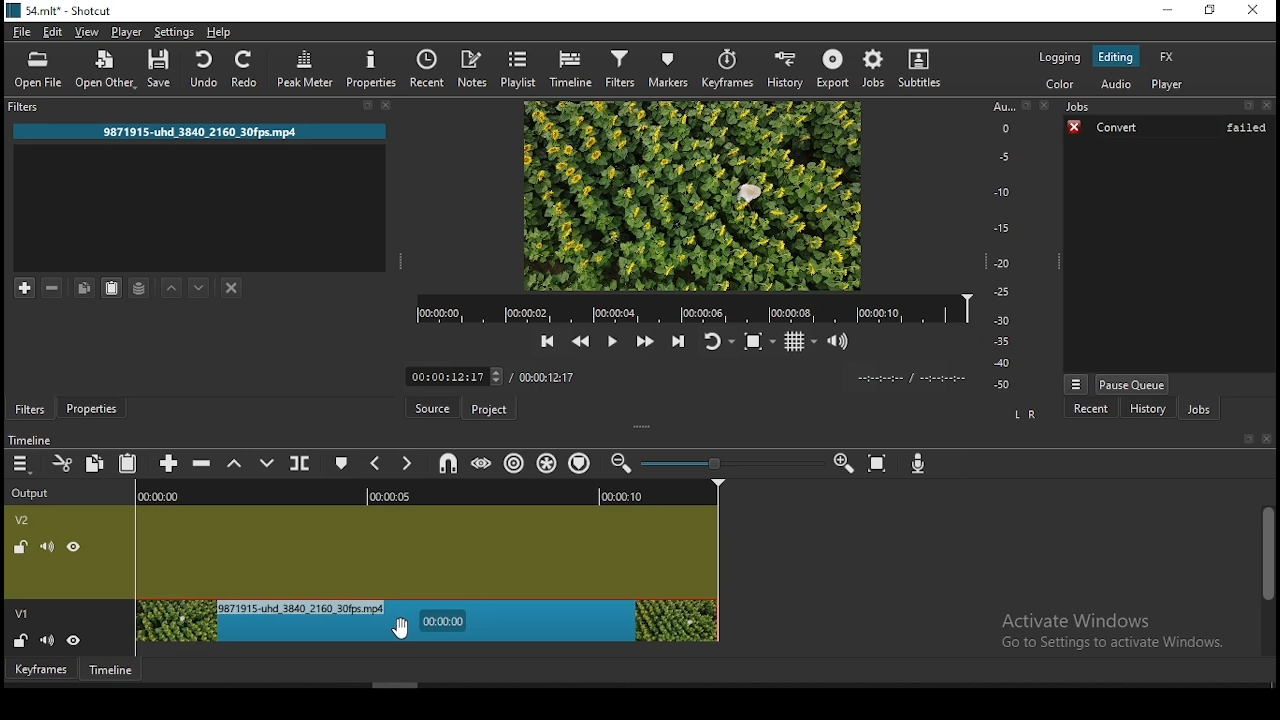  Describe the element at coordinates (24, 287) in the screenshot. I see `add filter` at that location.